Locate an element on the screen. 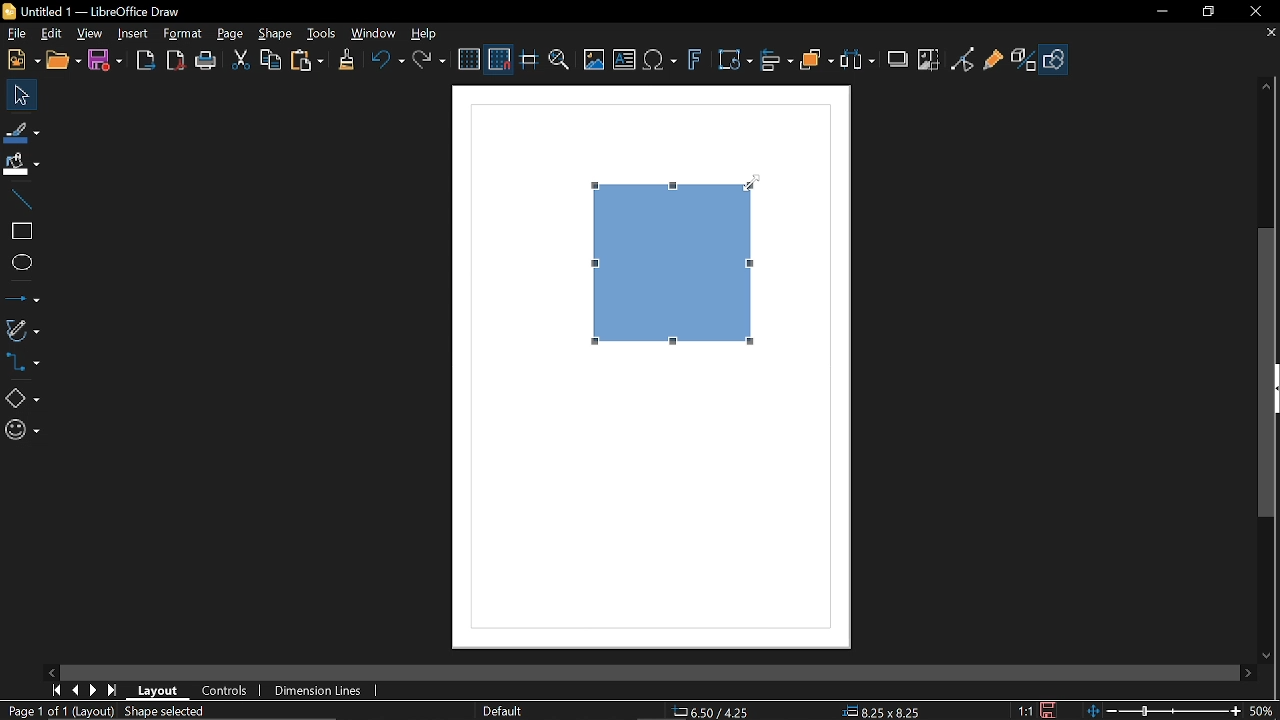 The image size is (1280, 720). Dimension lines is located at coordinates (317, 691).